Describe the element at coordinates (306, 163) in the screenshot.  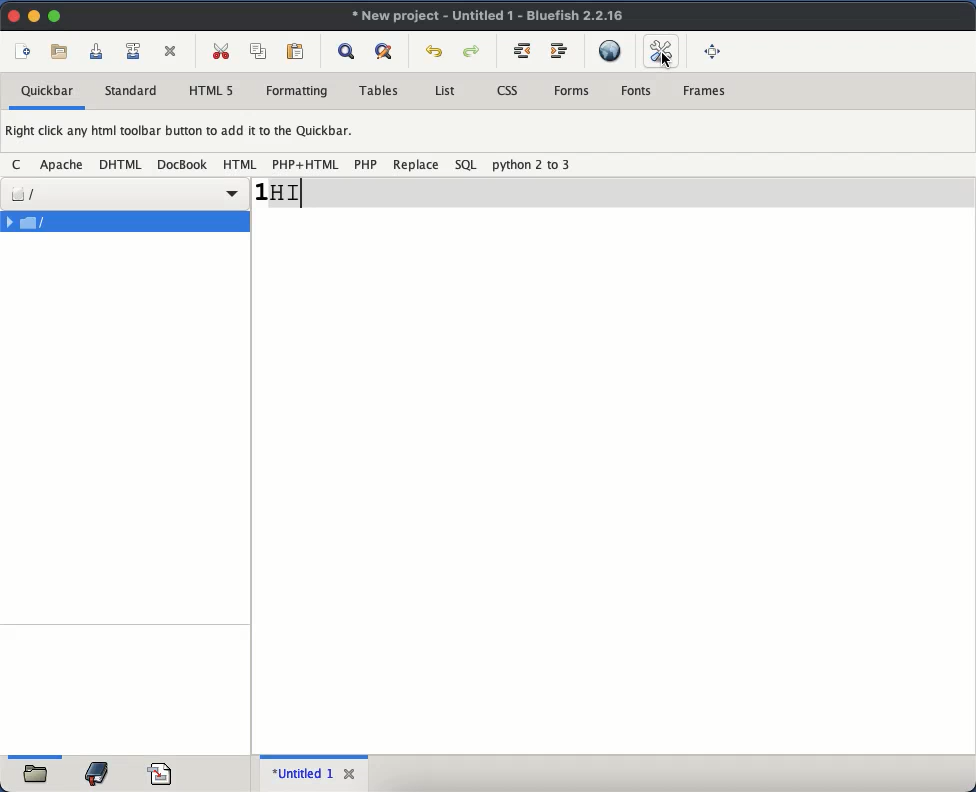
I see `php + html` at that location.